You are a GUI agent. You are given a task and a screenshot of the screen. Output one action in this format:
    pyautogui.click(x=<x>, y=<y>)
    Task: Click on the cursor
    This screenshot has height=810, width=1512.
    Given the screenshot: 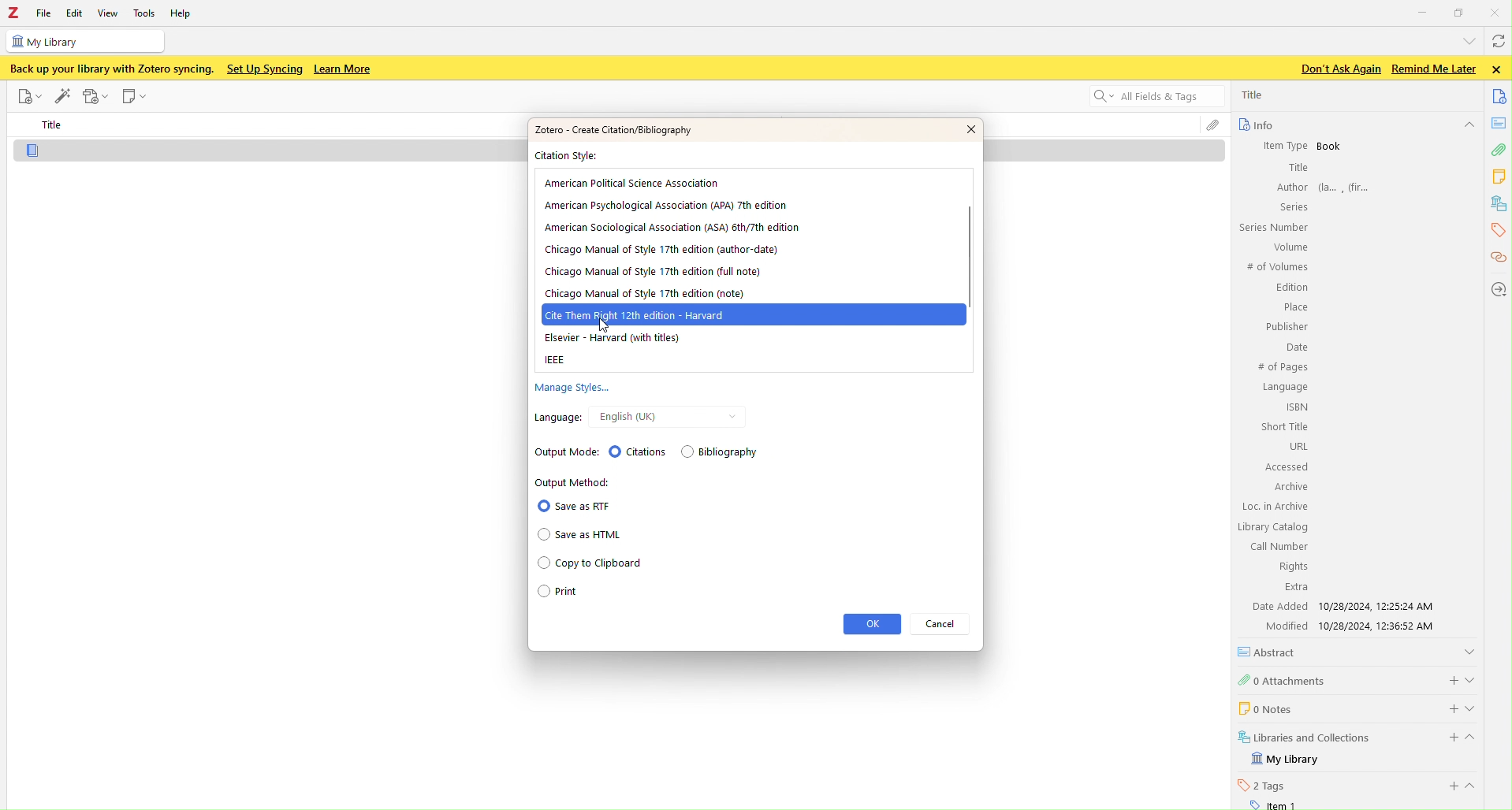 What is the action you would take?
    pyautogui.click(x=605, y=324)
    